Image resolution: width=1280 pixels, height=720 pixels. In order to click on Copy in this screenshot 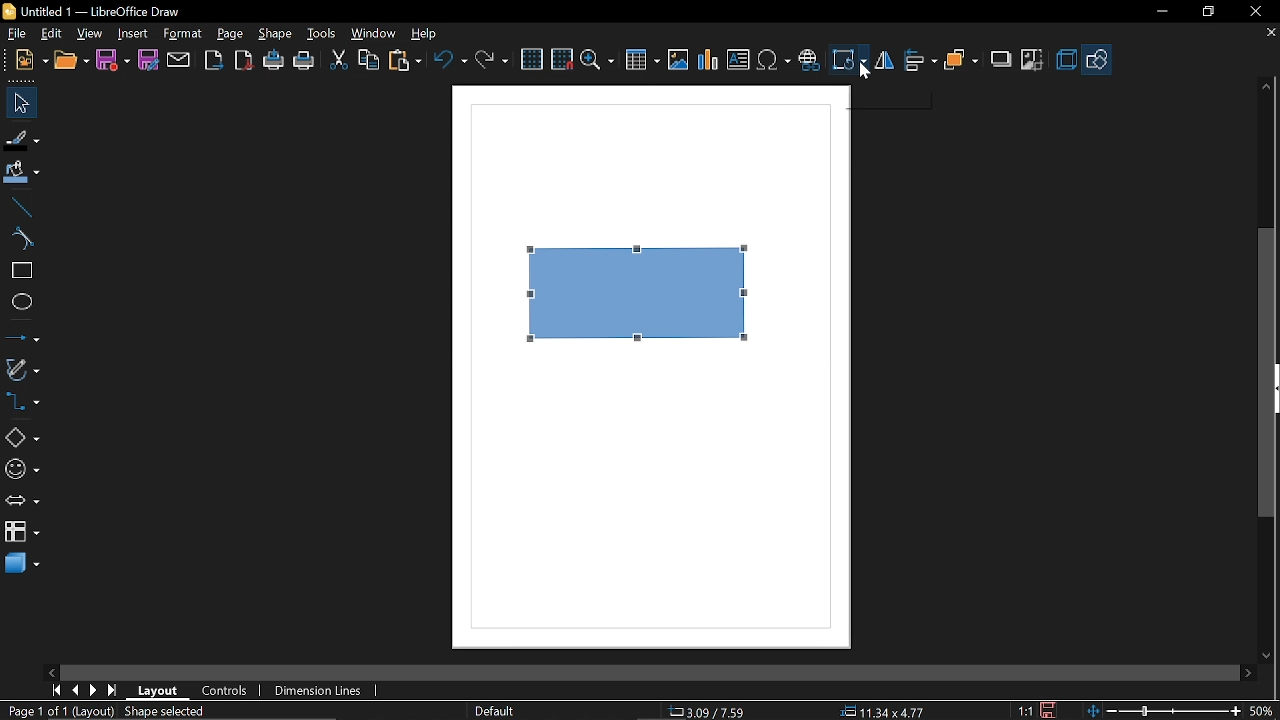, I will do `click(368, 59)`.